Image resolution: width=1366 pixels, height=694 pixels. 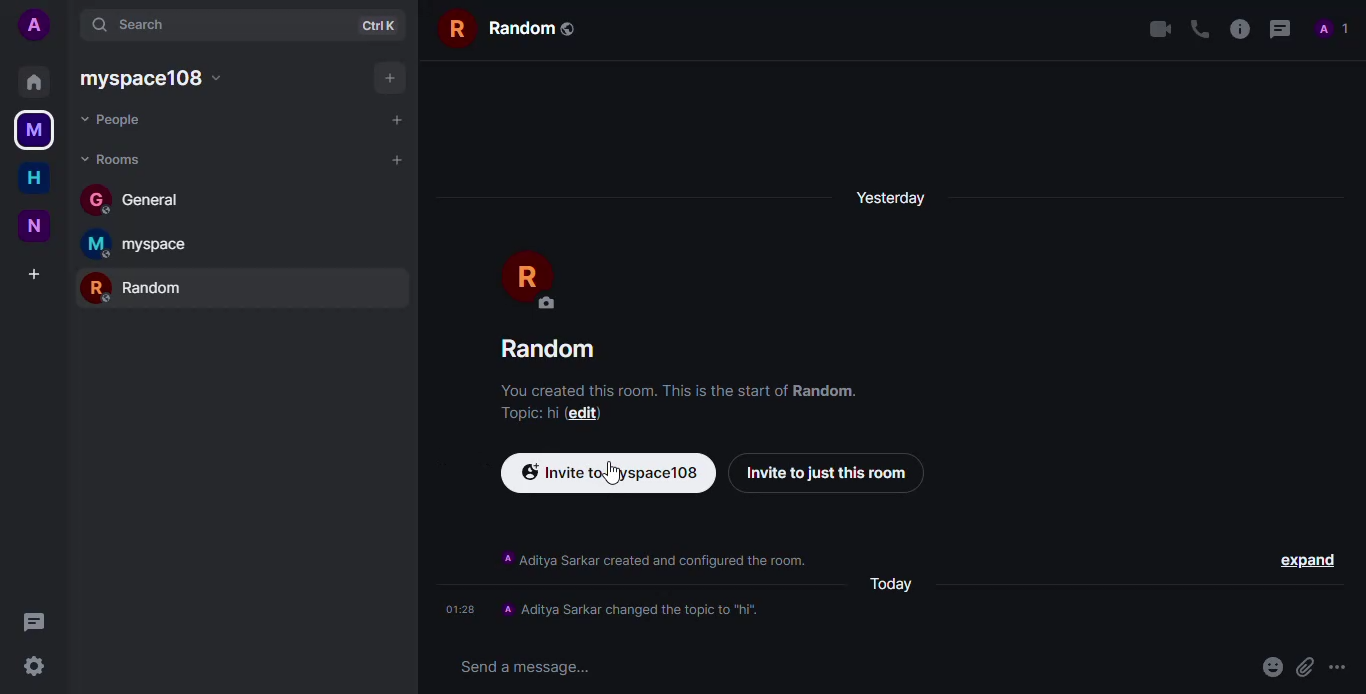 I want to click on myspace, so click(x=35, y=131).